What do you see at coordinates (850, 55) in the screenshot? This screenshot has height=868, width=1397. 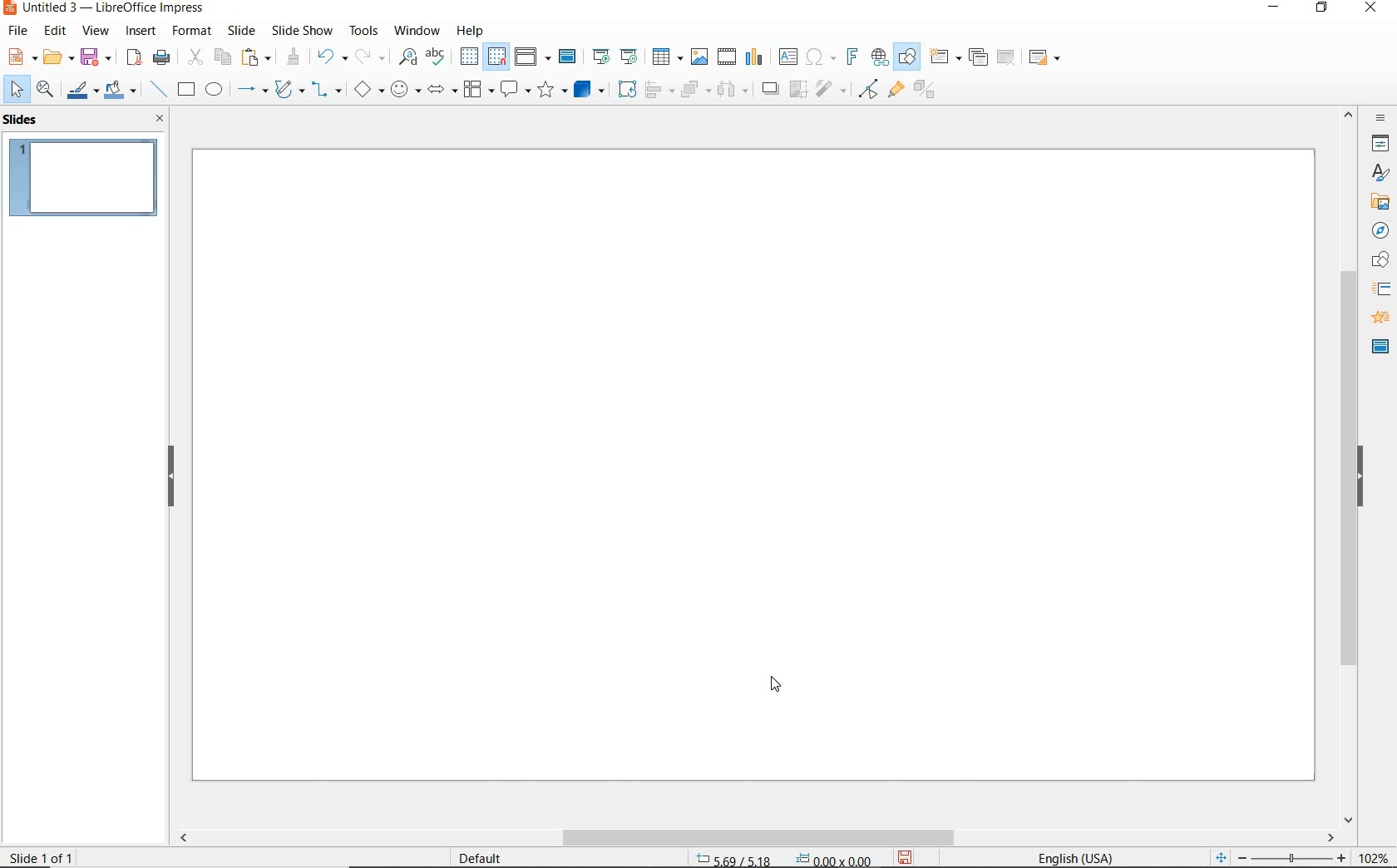 I see `INSERT FRONTWORK TEXT` at bounding box center [850, 55].